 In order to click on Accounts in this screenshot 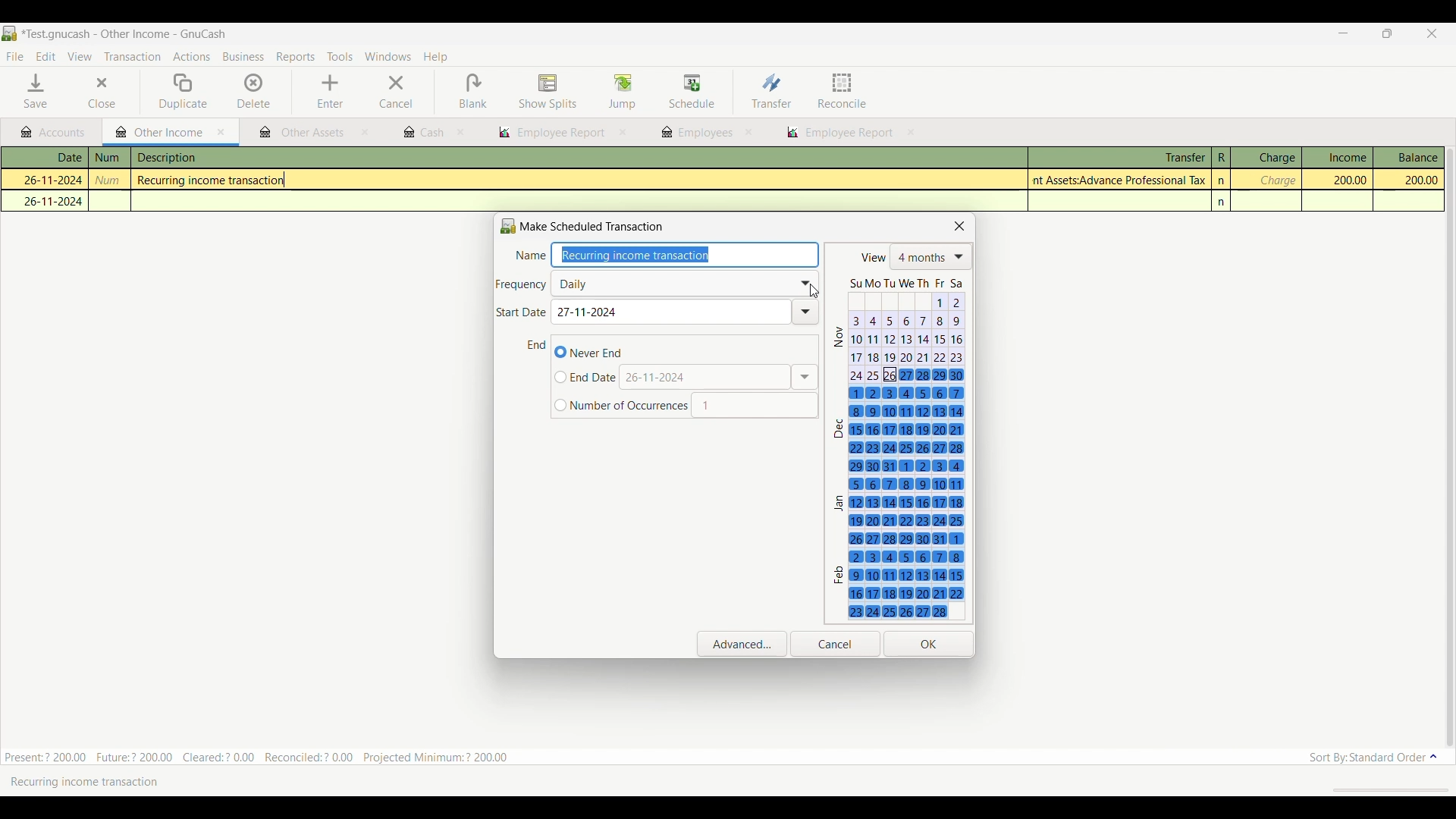, I will do `click(56, 133)`.